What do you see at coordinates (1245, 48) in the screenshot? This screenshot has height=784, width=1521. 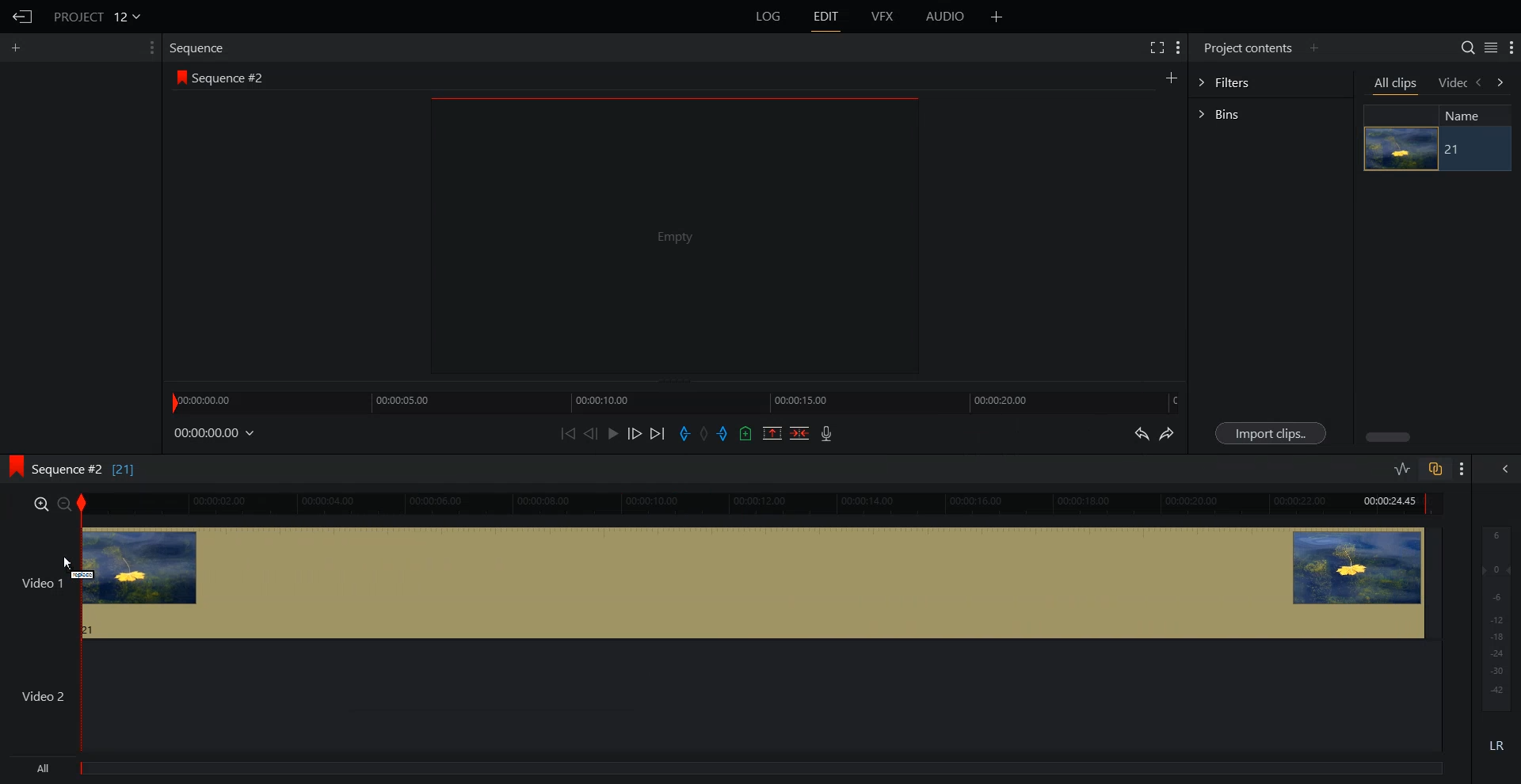 I see `Project contents` at bounding box center [1245, 48].